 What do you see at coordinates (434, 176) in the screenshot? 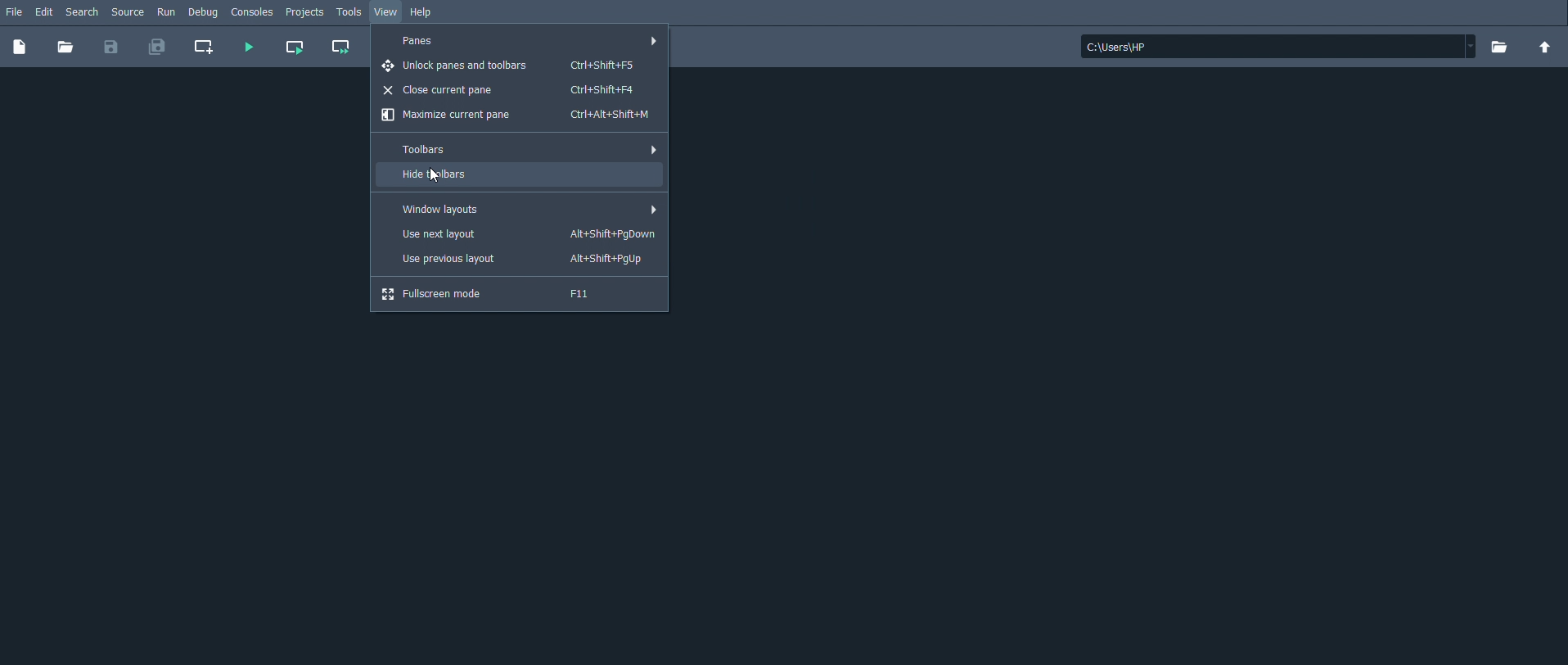
I see `Cursor` at bounding box center [434, 176].